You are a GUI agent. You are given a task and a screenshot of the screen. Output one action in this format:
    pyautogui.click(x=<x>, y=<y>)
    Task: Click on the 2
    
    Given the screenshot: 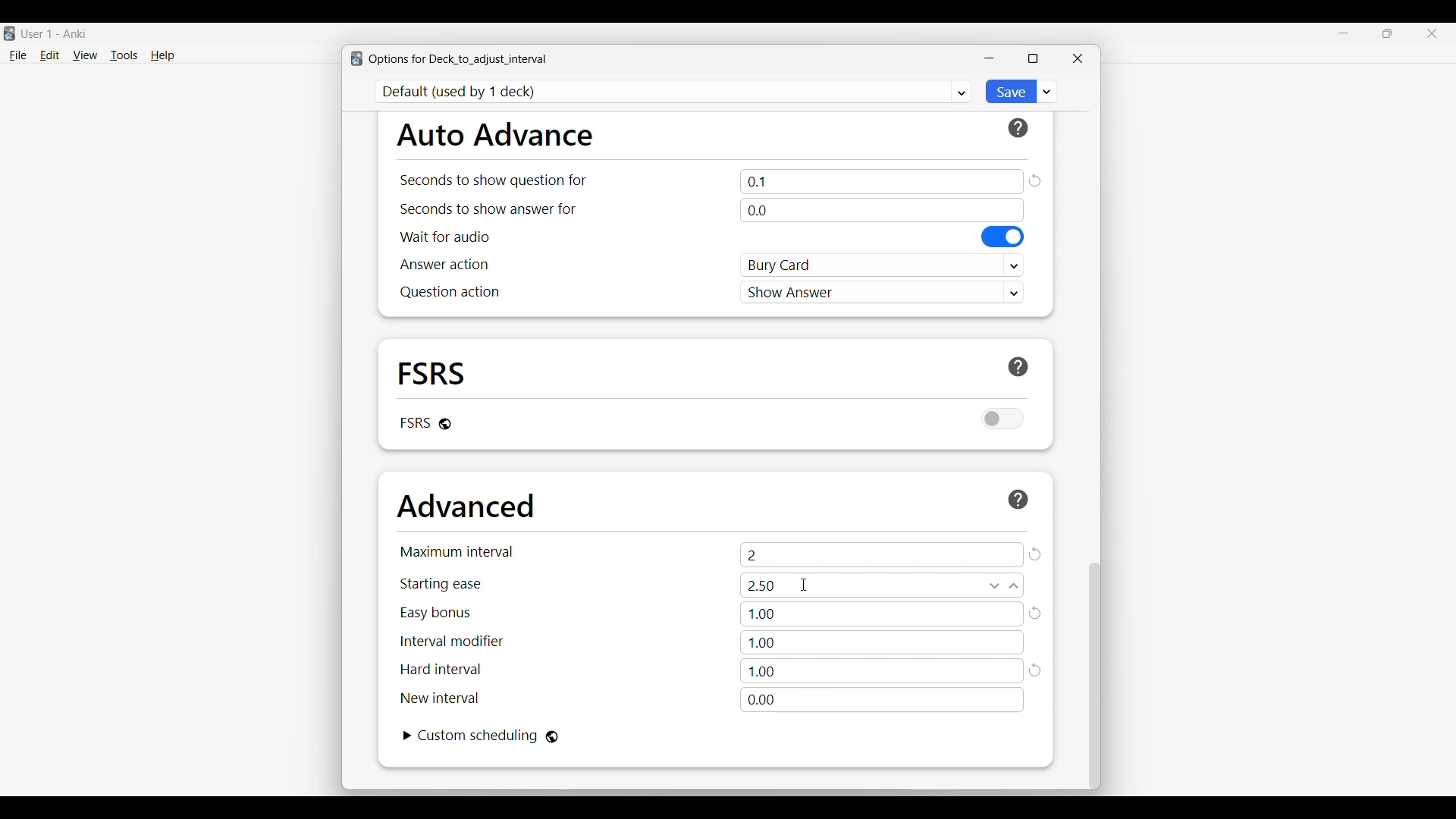 What is the action you would take?
    pyautogui.click(x=882, y=554)
    